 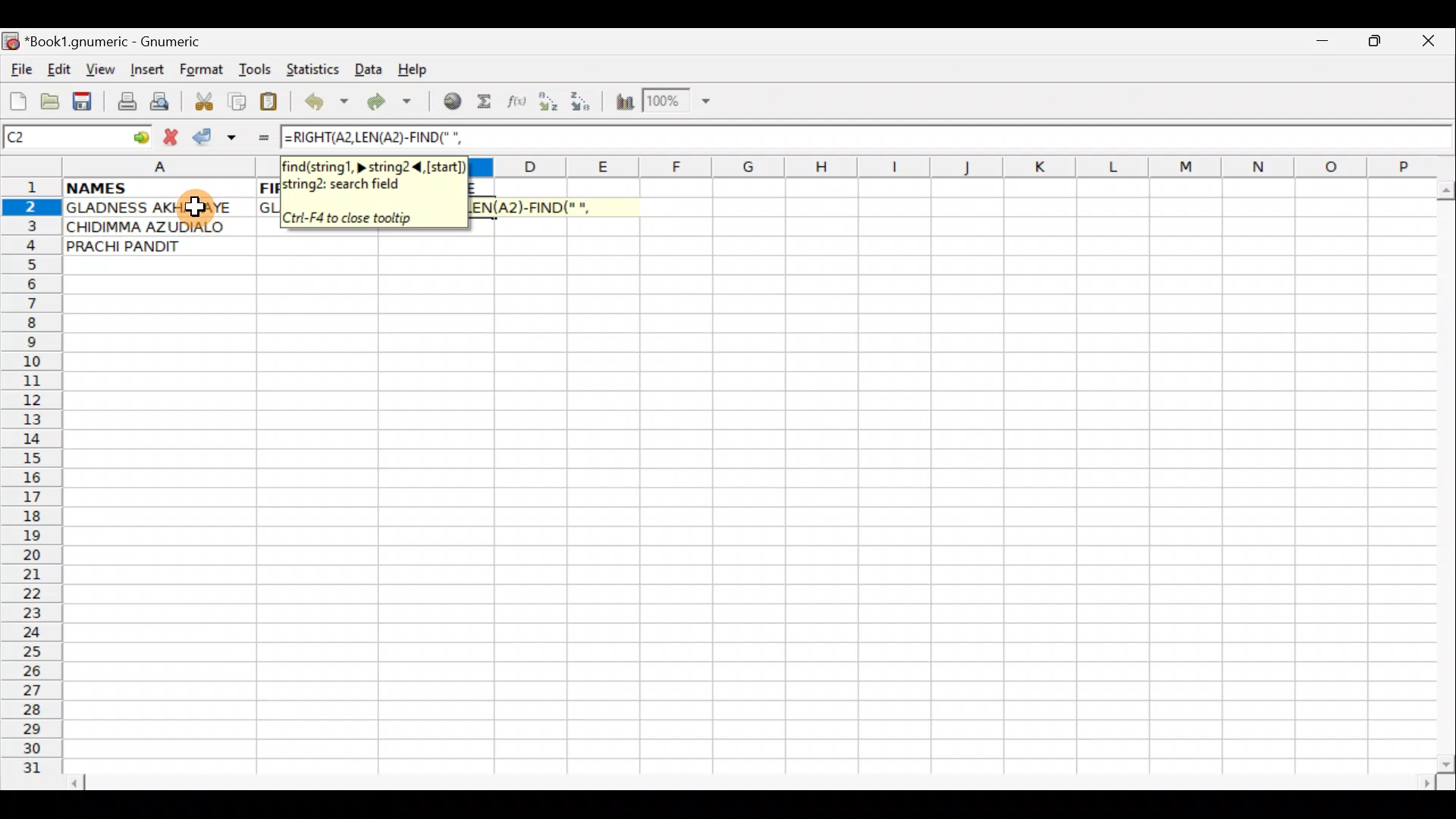 I want to click on Close, so click(x=1432, y=45).